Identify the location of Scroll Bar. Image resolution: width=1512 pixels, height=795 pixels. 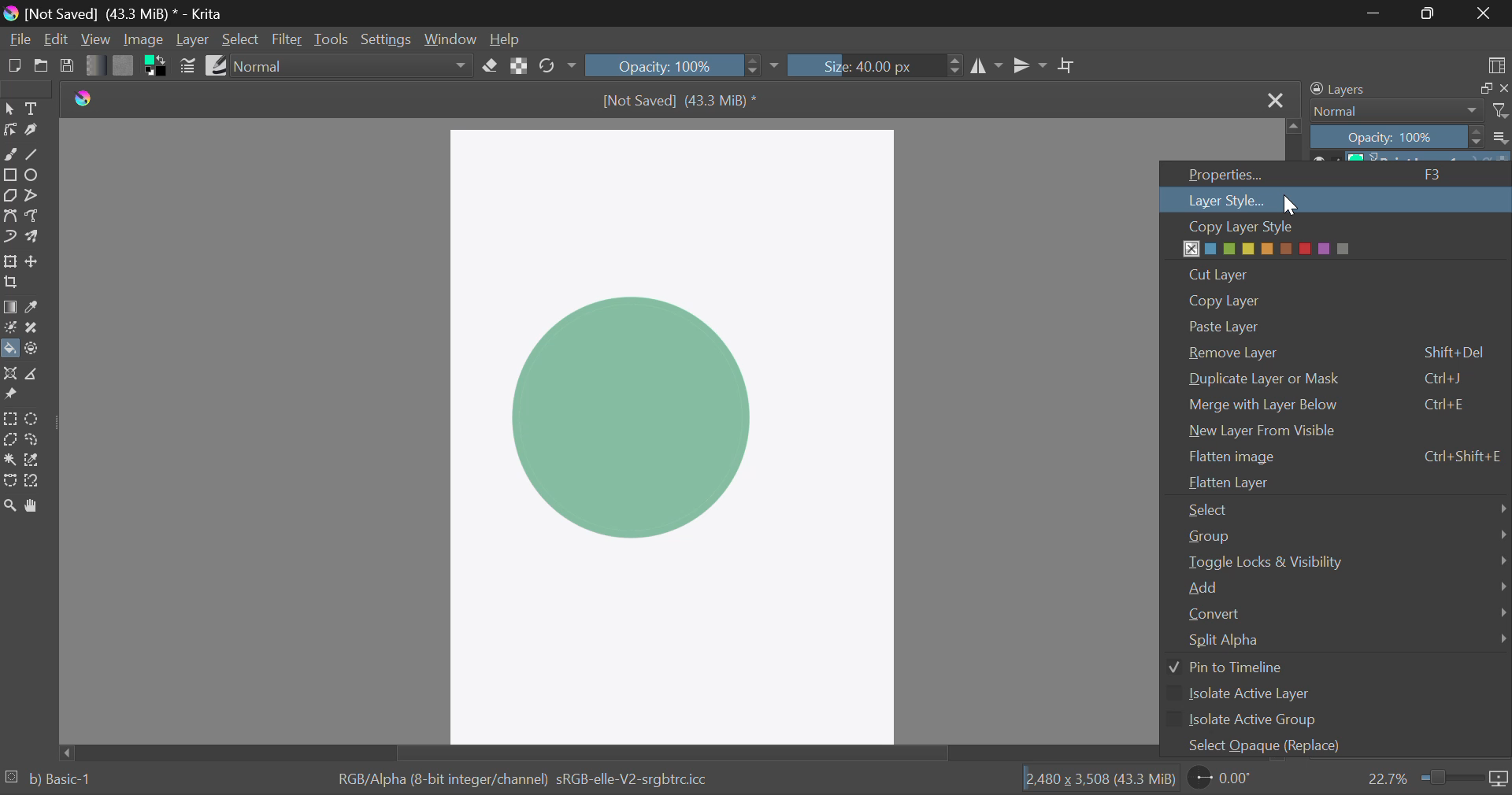
(623, 752).